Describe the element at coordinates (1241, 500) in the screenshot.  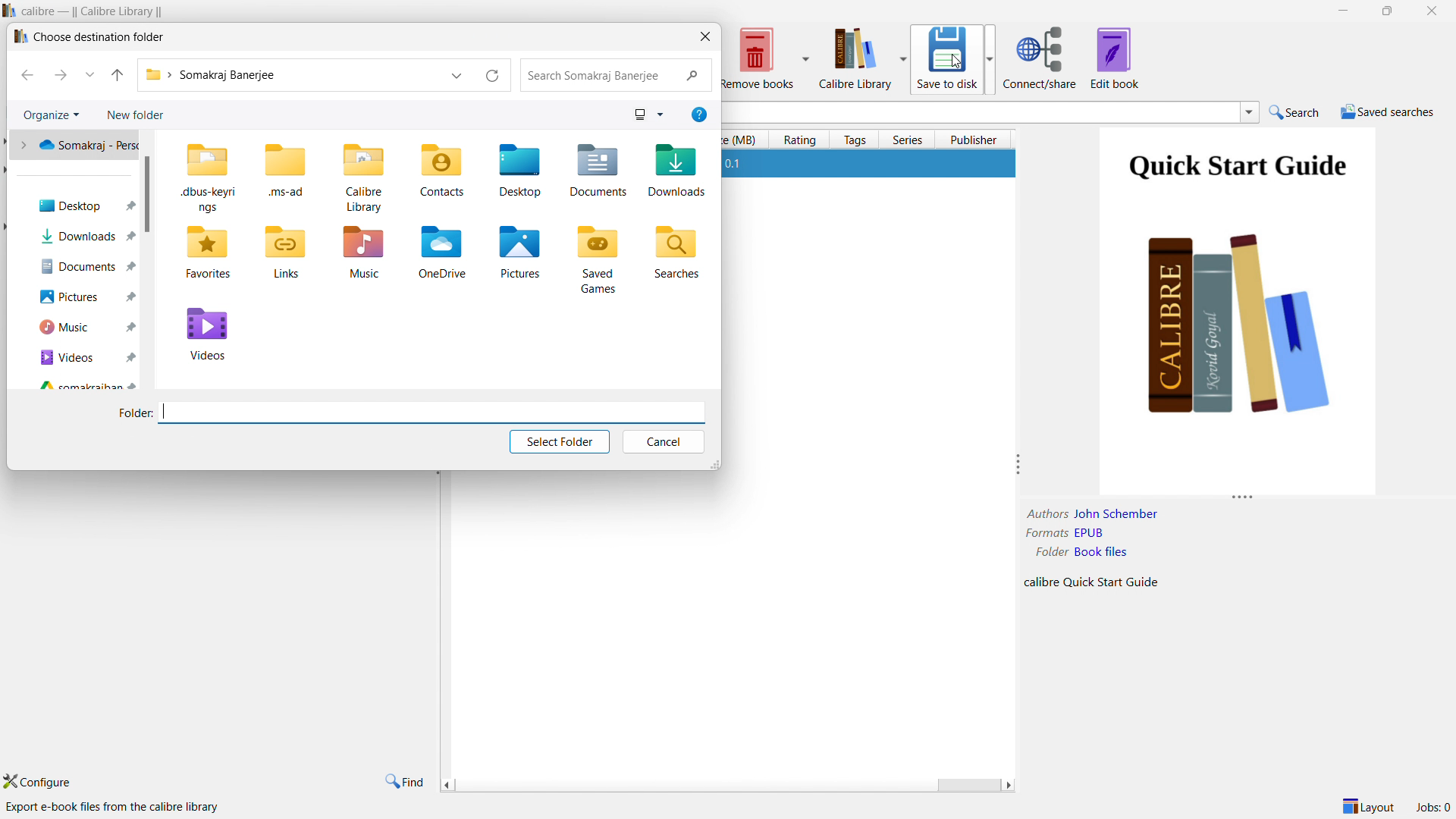
I see `resize` at that location.